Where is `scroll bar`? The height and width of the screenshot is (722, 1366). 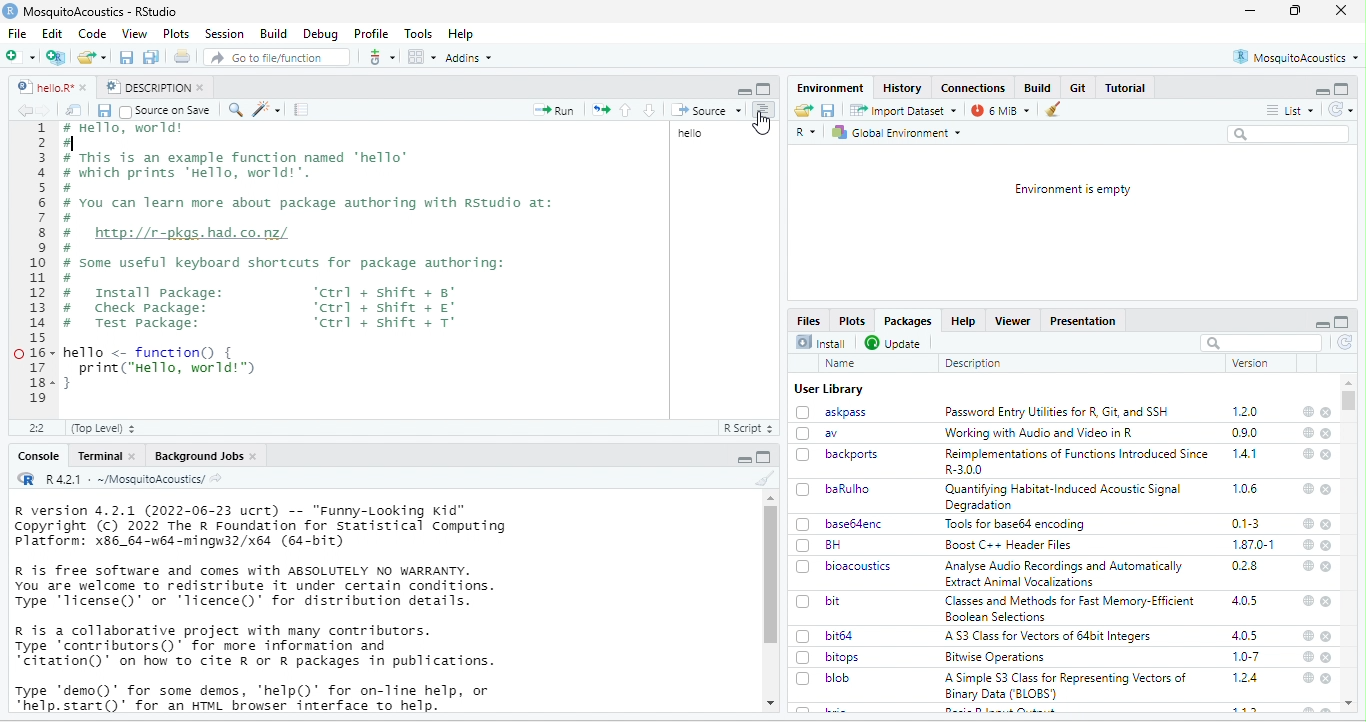 scroll bar is located at coordinates (1353, 402).